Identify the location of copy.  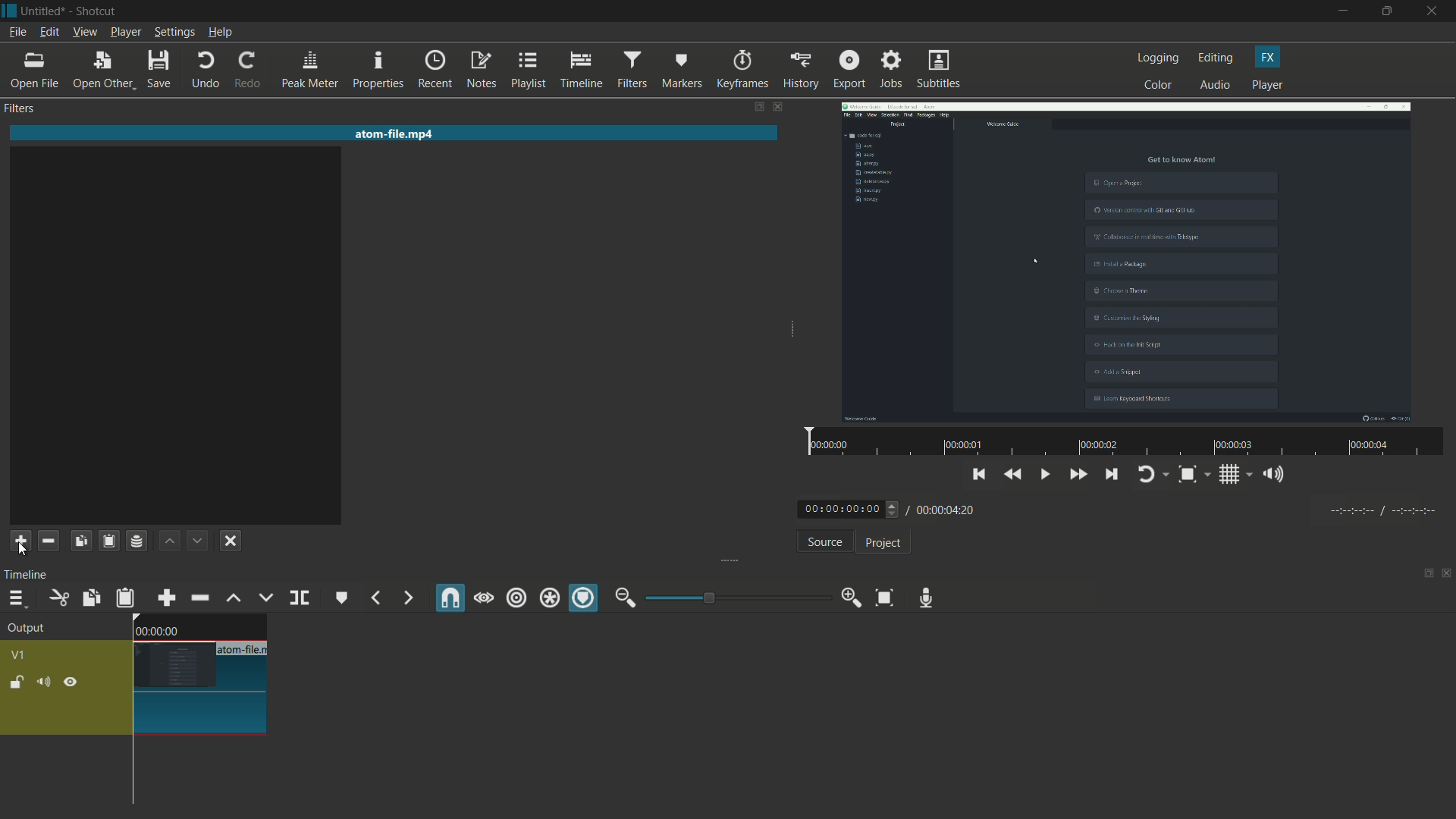
(89, 598).